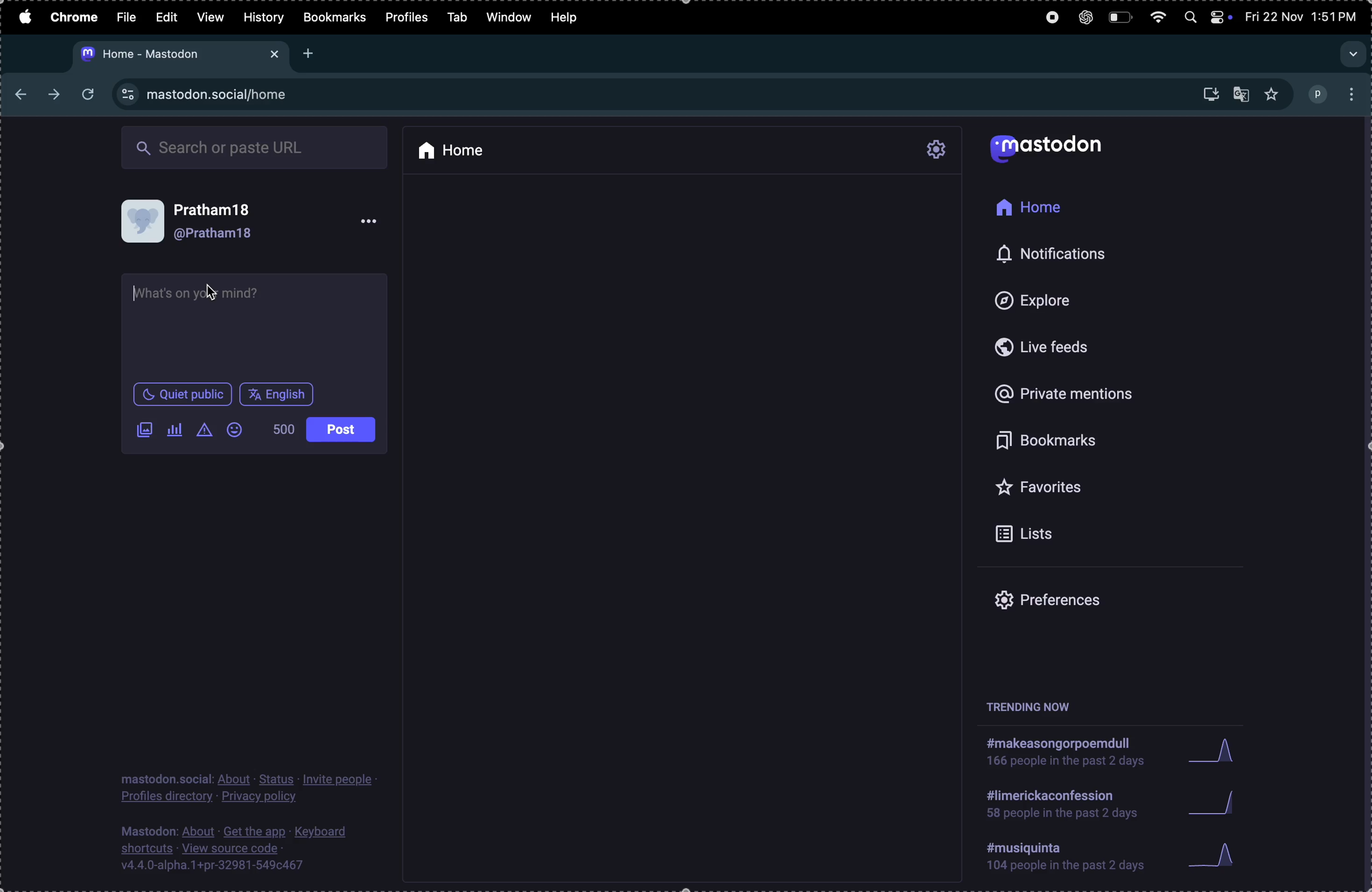  Describe the element at coordinates (212, 294) in the screenshot. I see `cursor` at that location.